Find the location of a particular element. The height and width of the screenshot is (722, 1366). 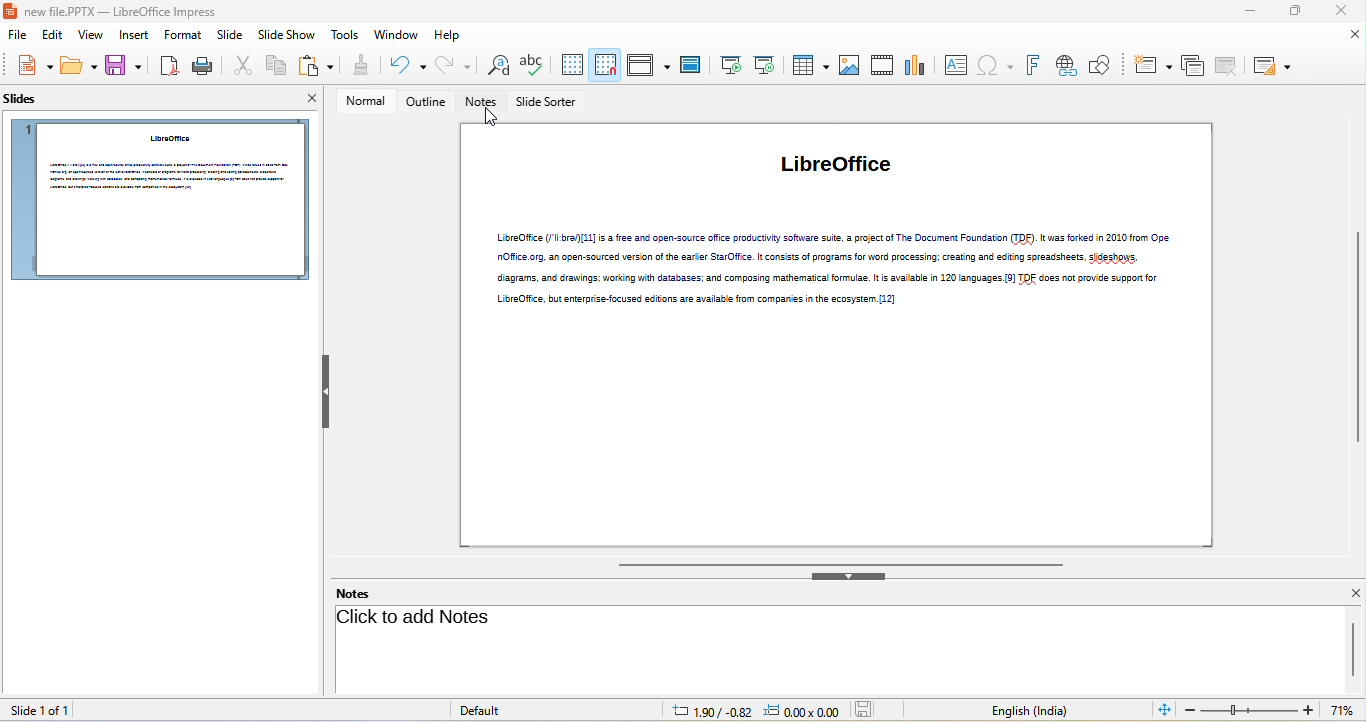

view is located at coordinates (92, 37).